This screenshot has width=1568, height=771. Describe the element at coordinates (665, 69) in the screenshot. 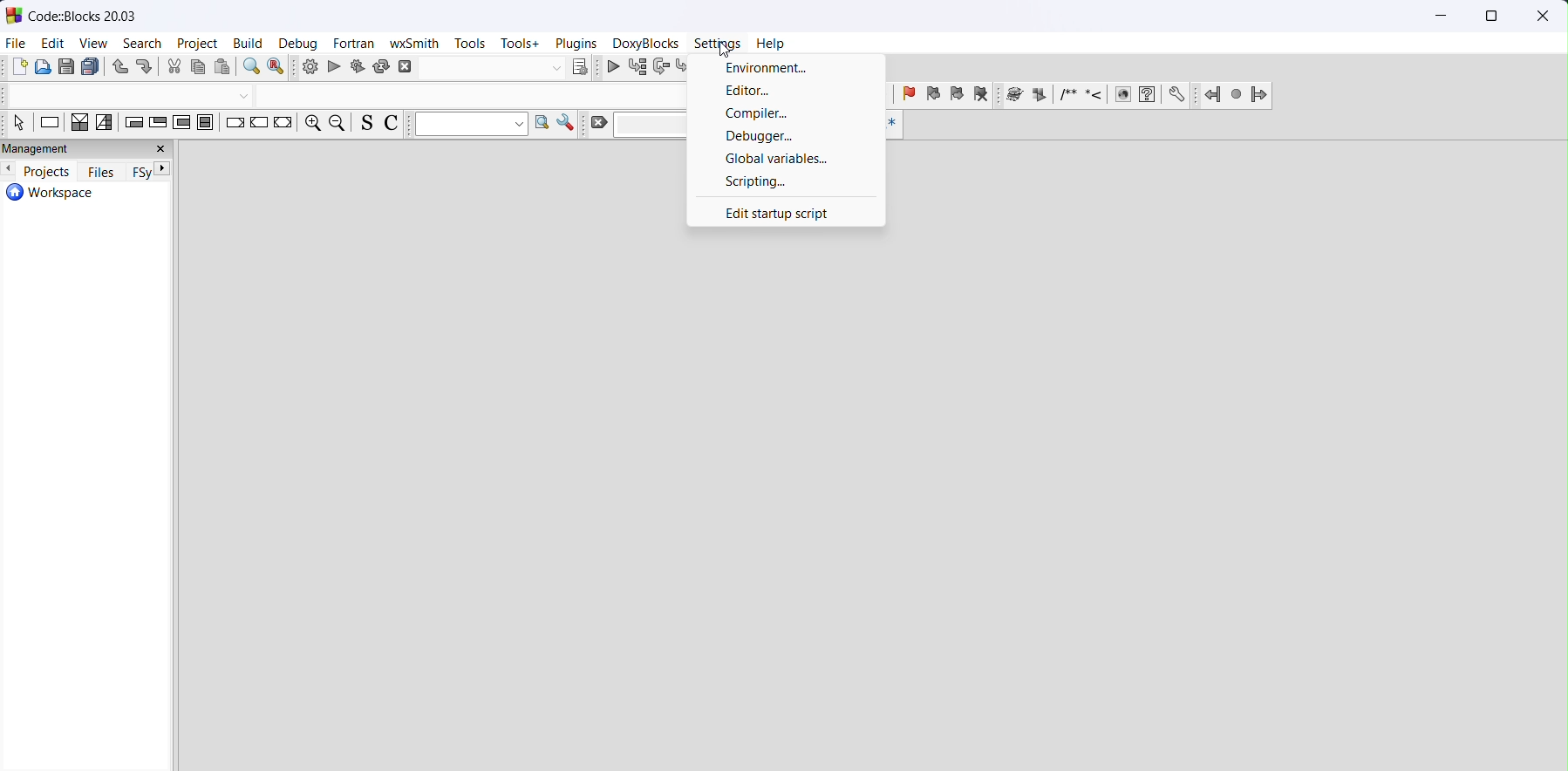

I see `next line` at that location.